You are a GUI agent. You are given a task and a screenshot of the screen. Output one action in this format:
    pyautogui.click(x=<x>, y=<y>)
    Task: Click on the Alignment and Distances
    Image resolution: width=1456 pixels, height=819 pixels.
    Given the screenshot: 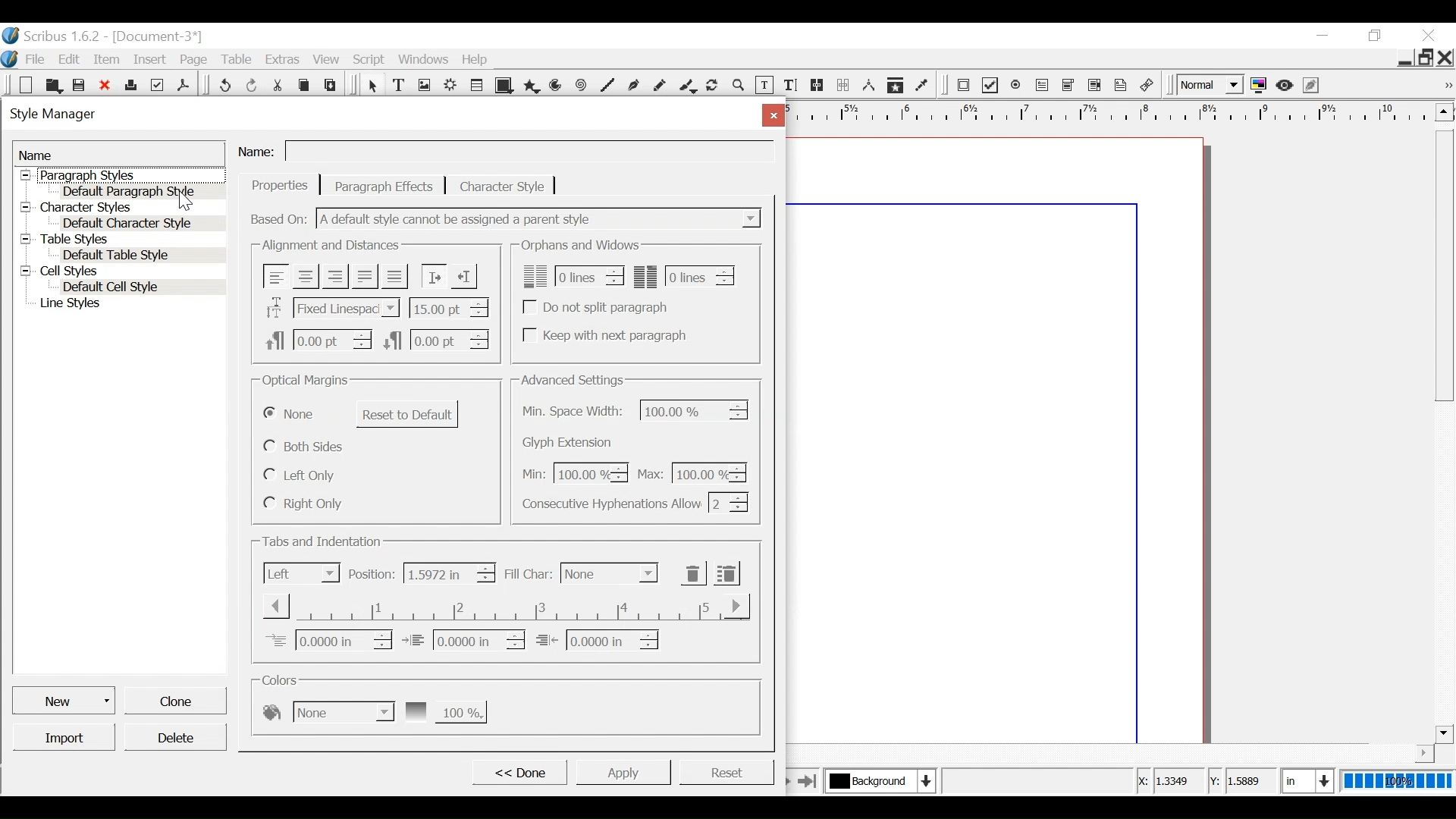 What is the action you would take?
    pyautogui.click(x=331, y=246)
    